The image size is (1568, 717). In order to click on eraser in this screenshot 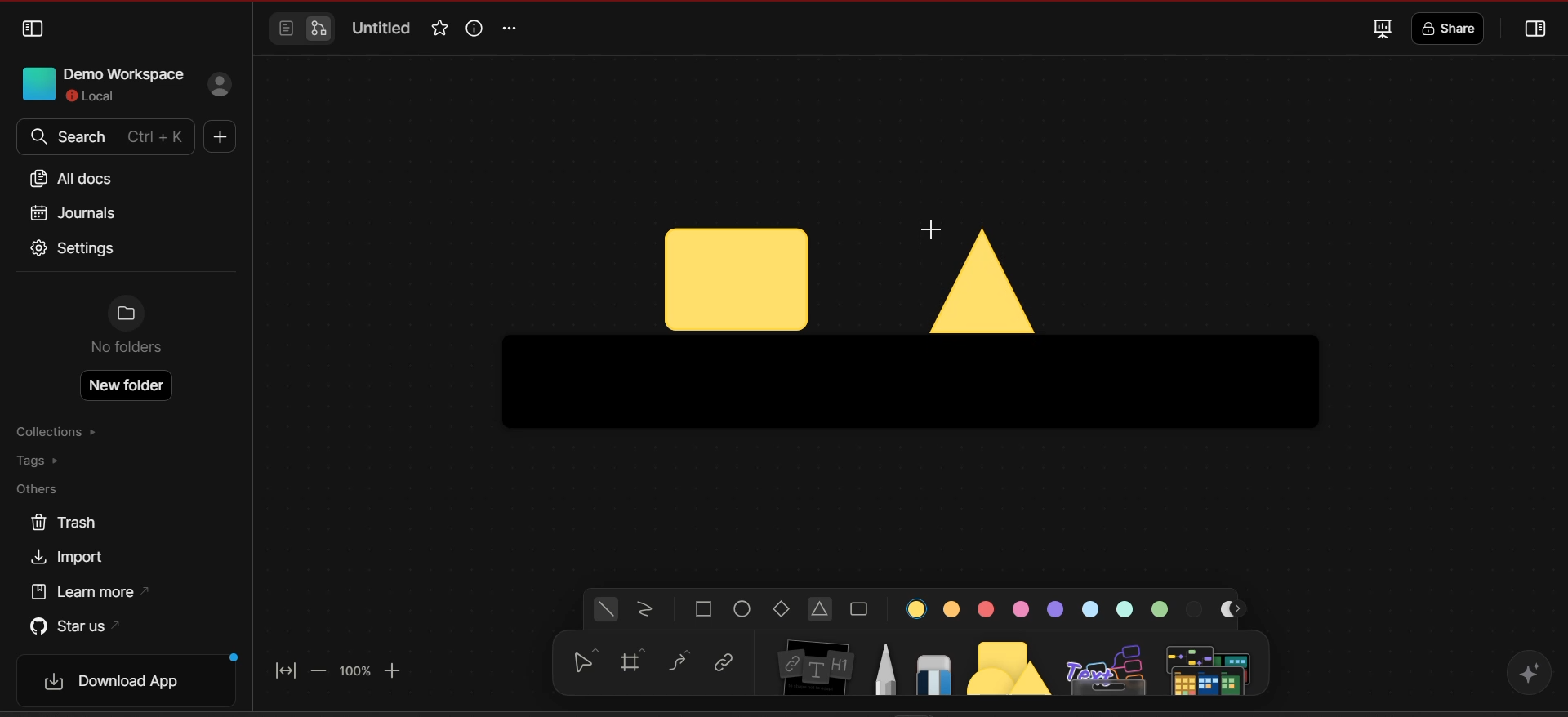, I will do `click(934, 670)`.